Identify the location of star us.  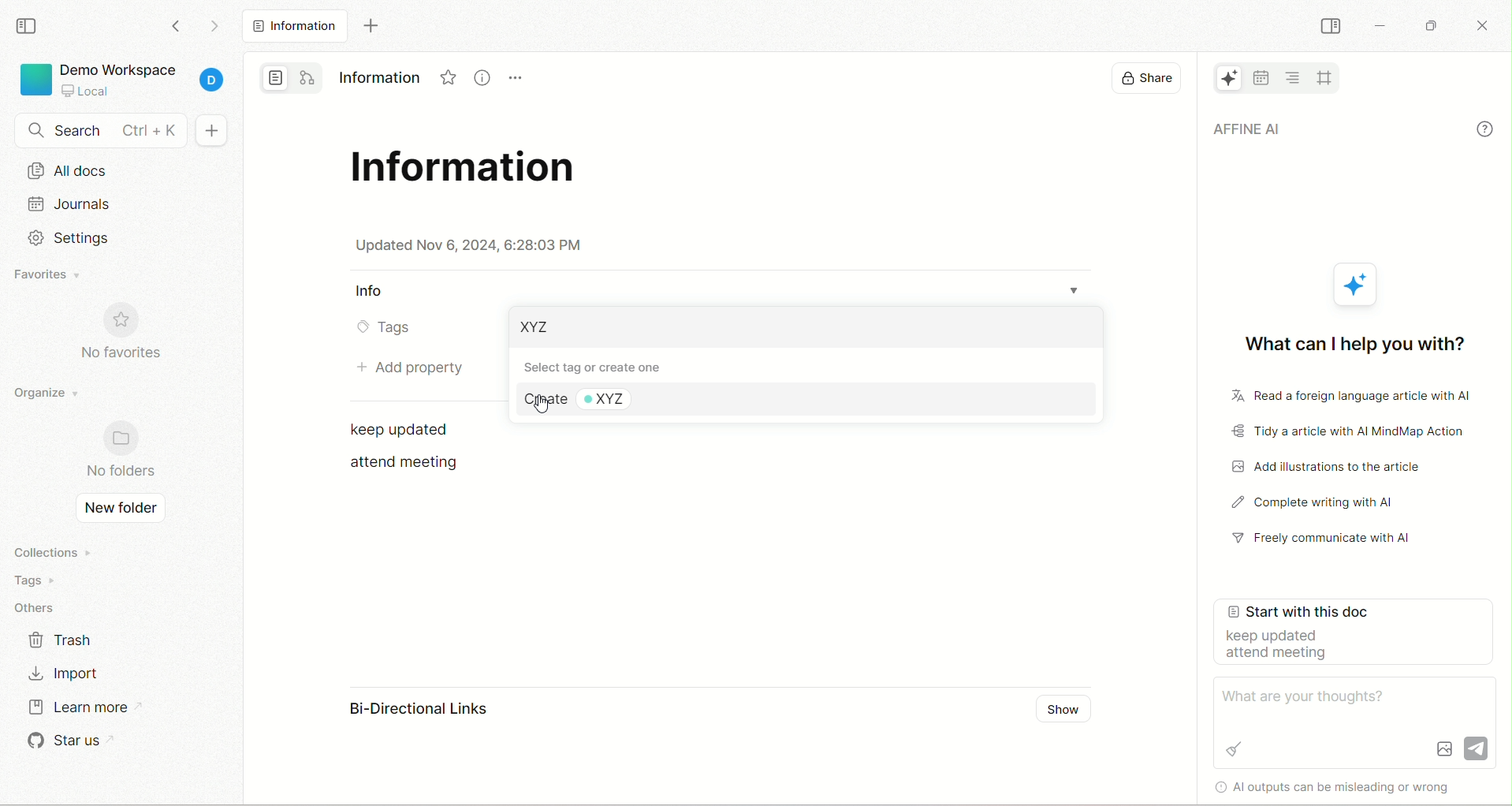
(65, 741).